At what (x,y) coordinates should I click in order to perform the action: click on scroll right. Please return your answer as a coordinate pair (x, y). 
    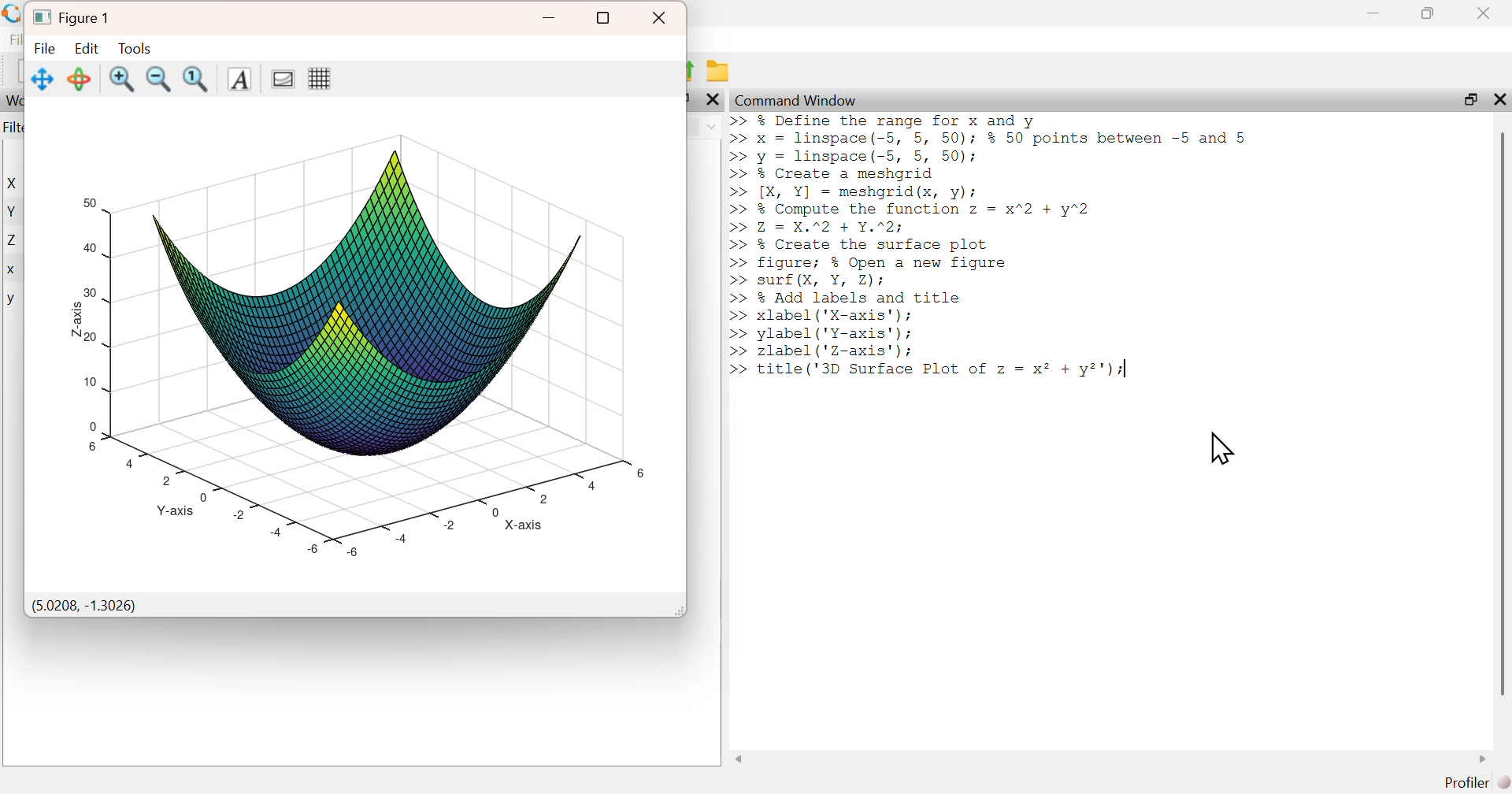
    Looking at the image, I should click on (1484, 759).